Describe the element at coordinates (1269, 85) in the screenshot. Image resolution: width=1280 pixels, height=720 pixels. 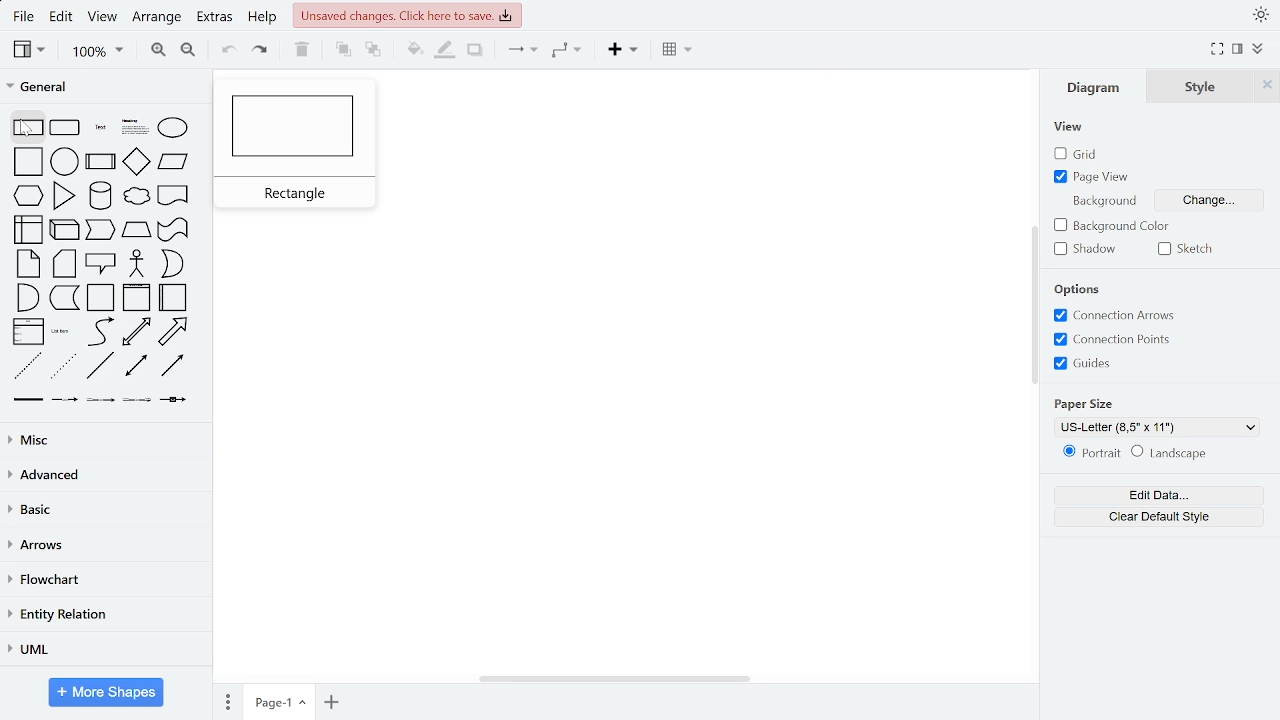
I see `close` at that location.